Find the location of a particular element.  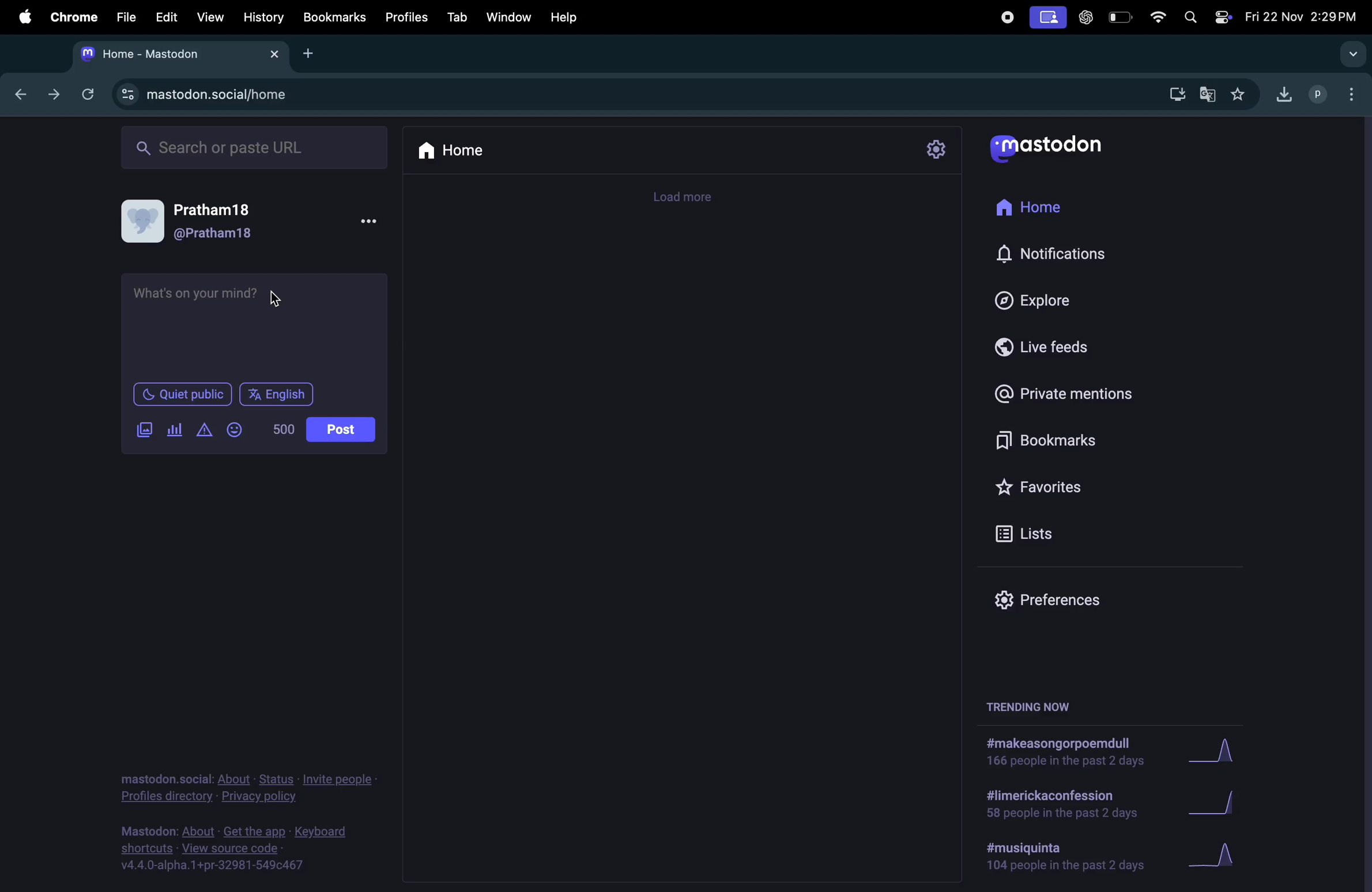

search is located at coordinates (1190, 18).